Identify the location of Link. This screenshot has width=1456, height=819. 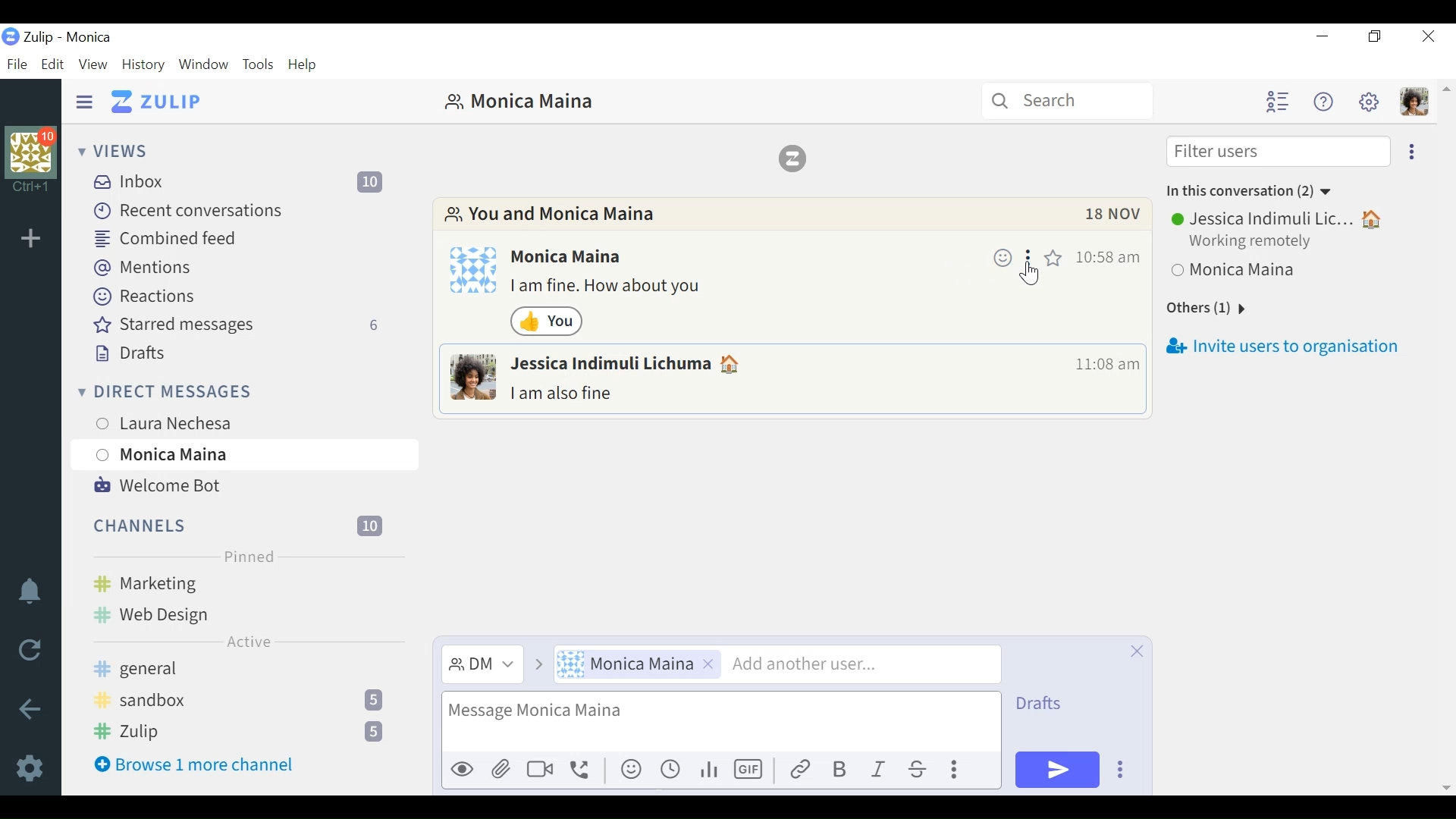
(800, 770).